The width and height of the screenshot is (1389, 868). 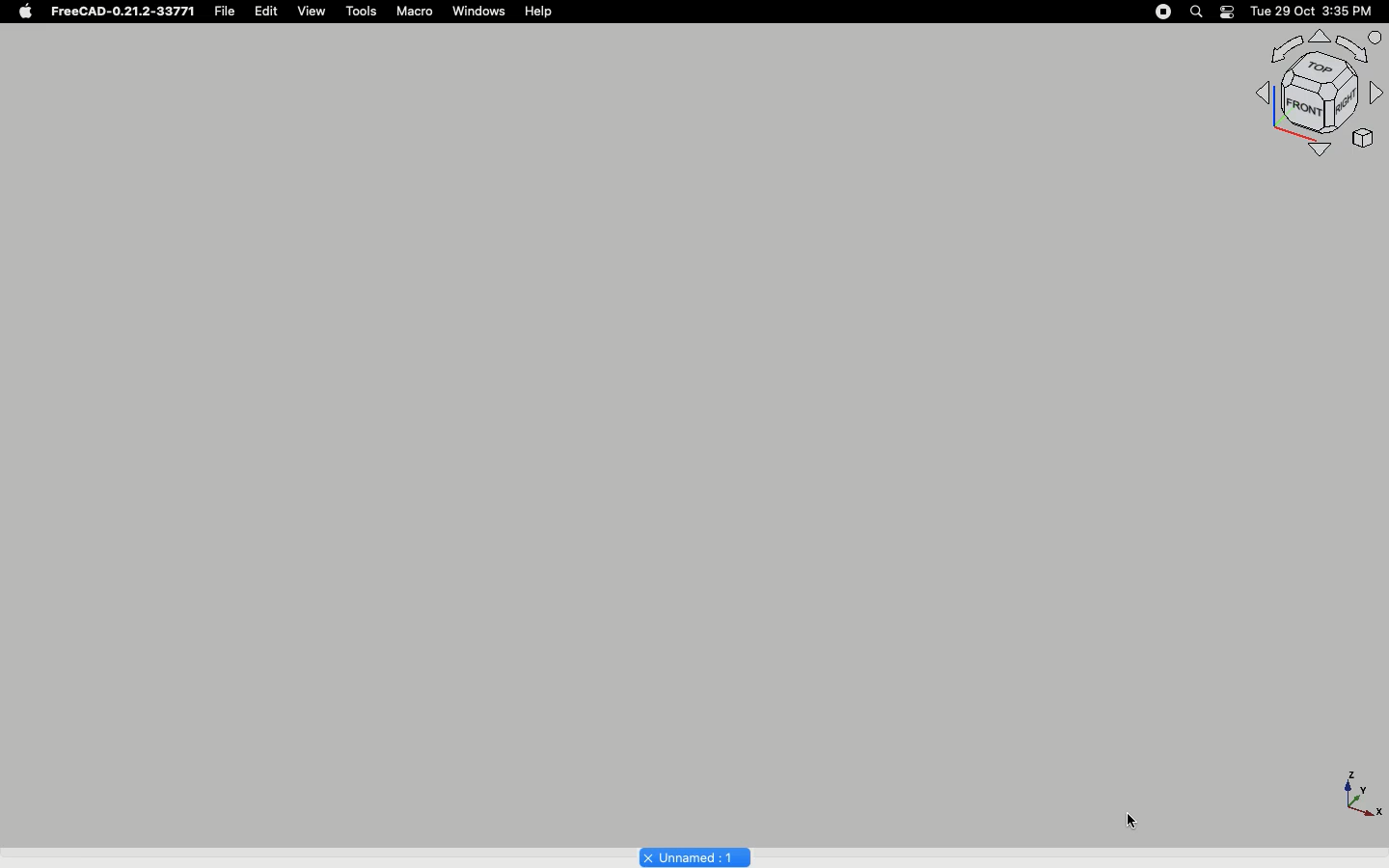 What do you see at coordinates (230, 12) in the screenshot?
I see `file` at bounding box center [230, 12].